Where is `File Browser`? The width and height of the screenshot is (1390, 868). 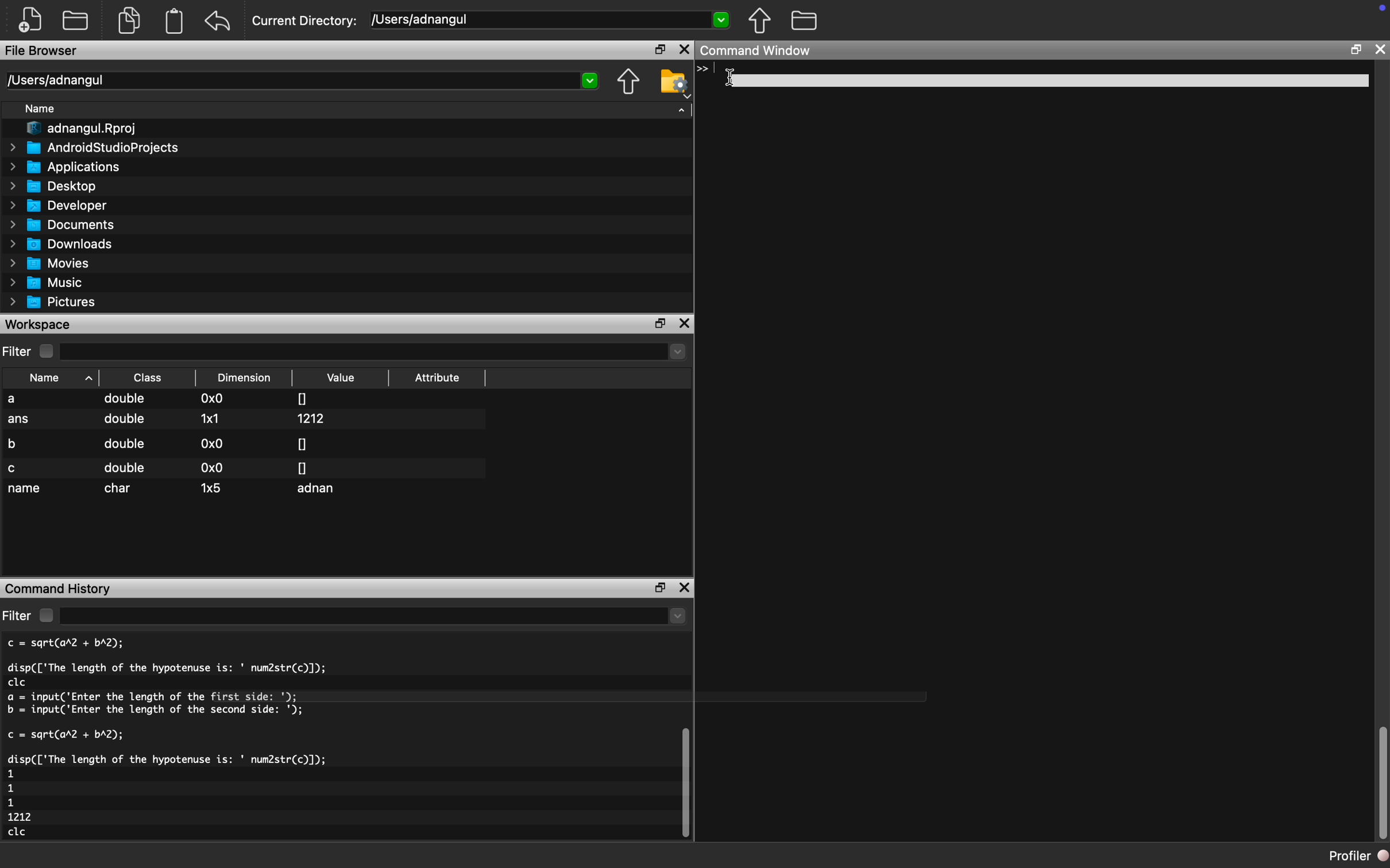
File Browser is located at coordinates (43, 52).